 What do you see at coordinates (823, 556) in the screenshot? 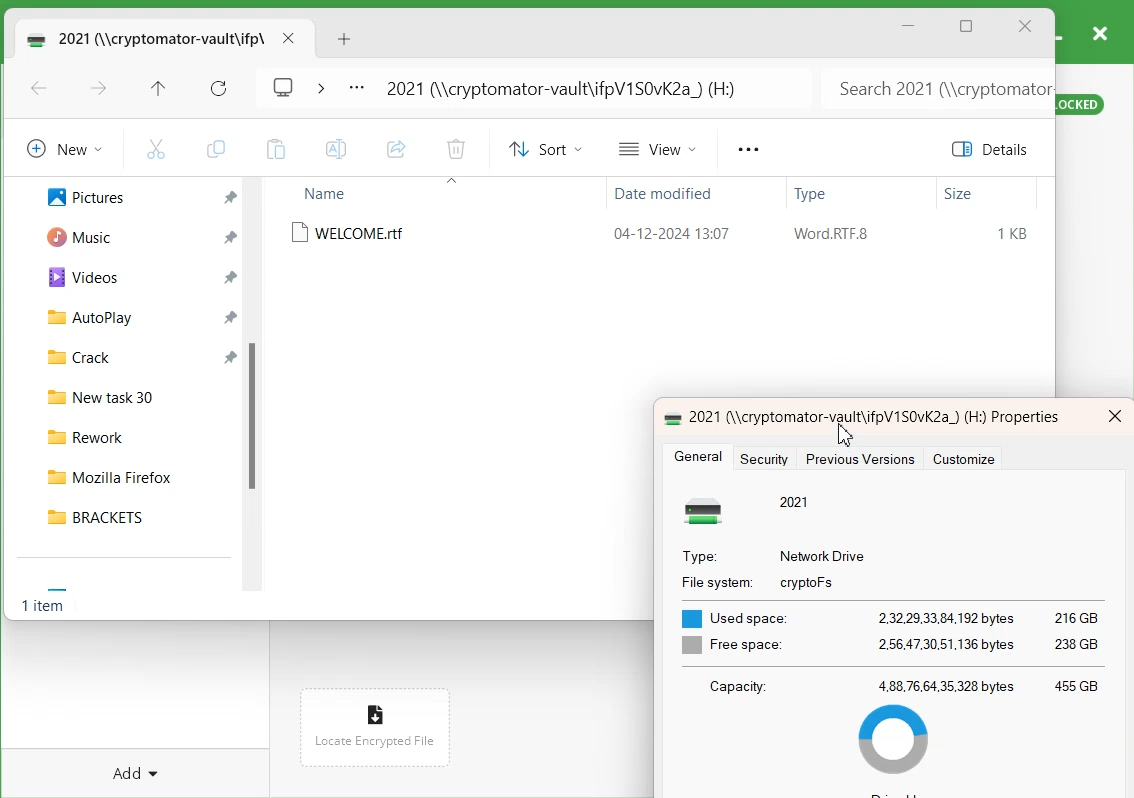
I see `Network Drive` at bounding box center [823, 556].